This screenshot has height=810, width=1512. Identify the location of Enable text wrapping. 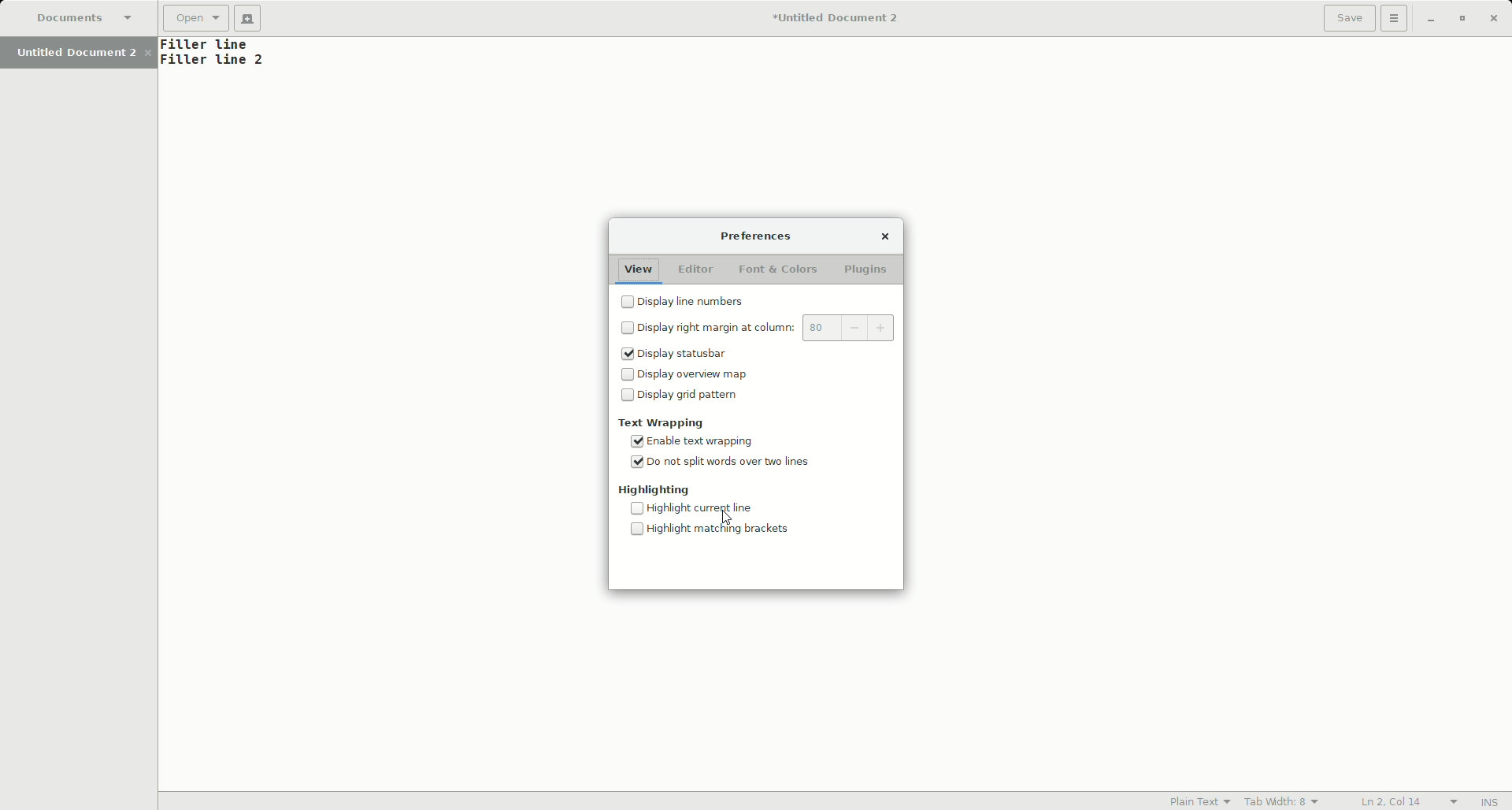
(698, 442).